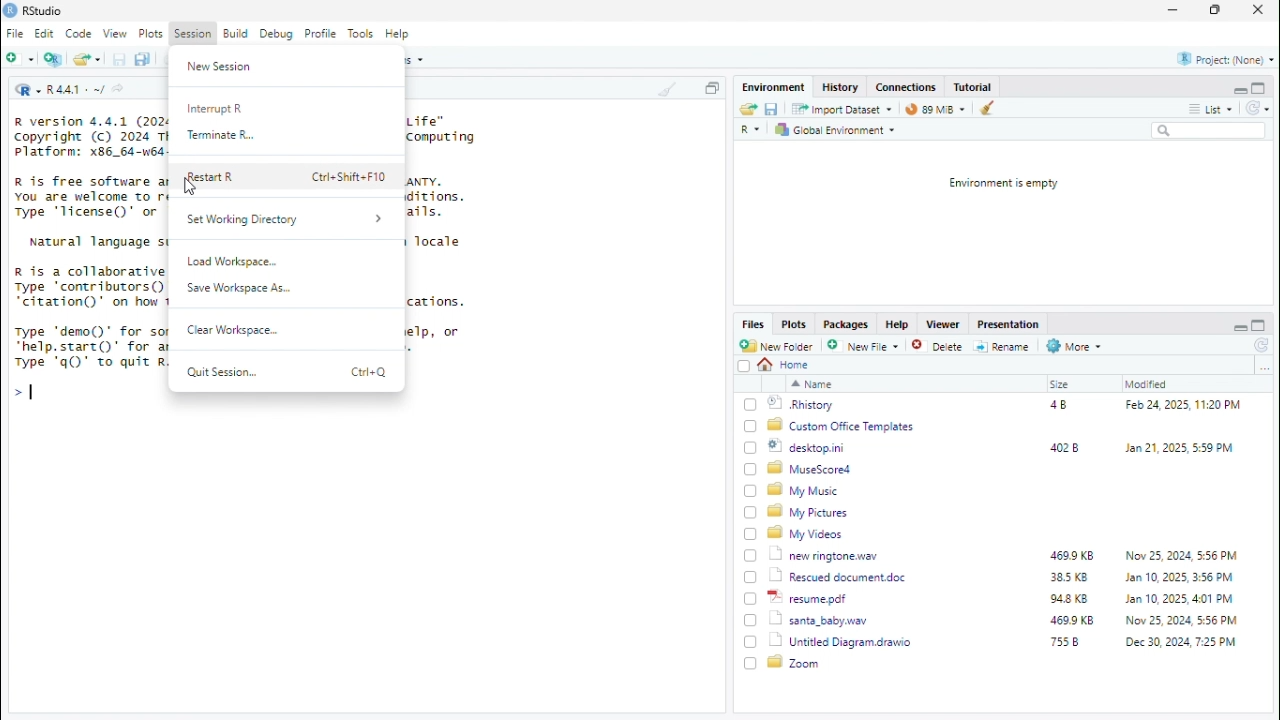 This screenshot has width=1280, height=720. Describe the element at coordinates (1264, 367) in the screenshot. I see `more` at that location.